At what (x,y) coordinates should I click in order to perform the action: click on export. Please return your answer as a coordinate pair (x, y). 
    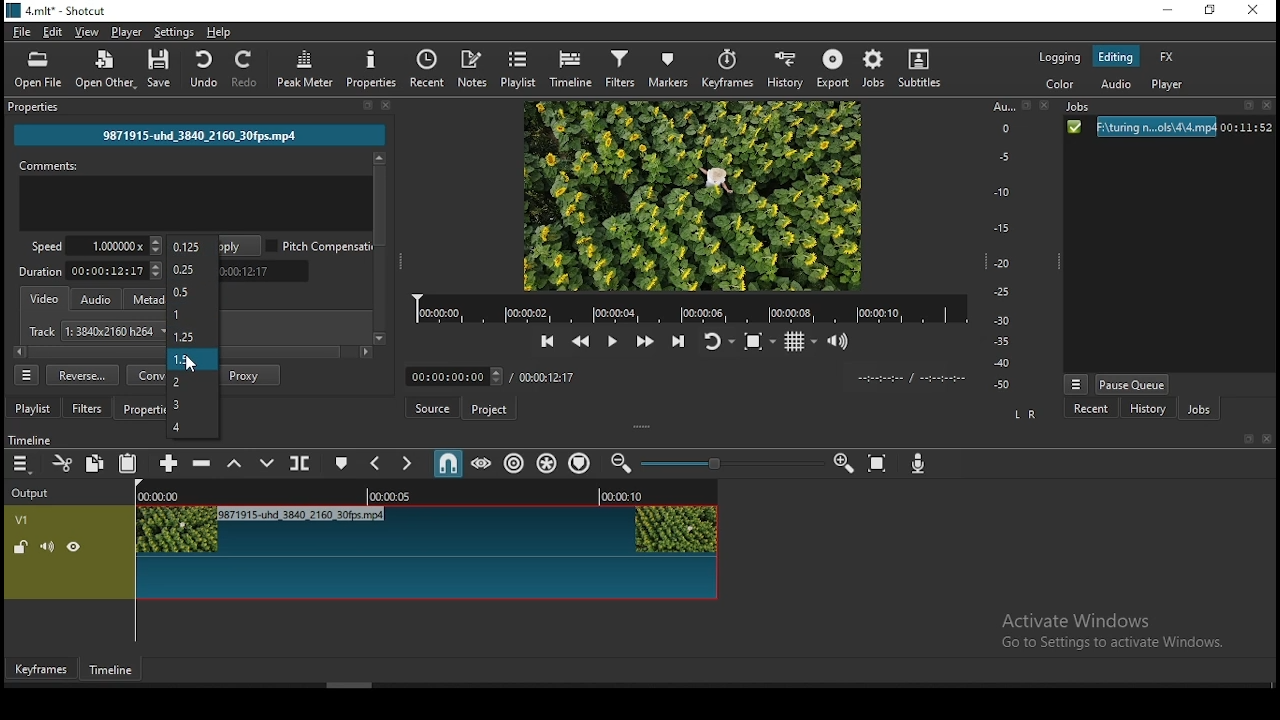
    Looking at the image, I should click on (831, 68).